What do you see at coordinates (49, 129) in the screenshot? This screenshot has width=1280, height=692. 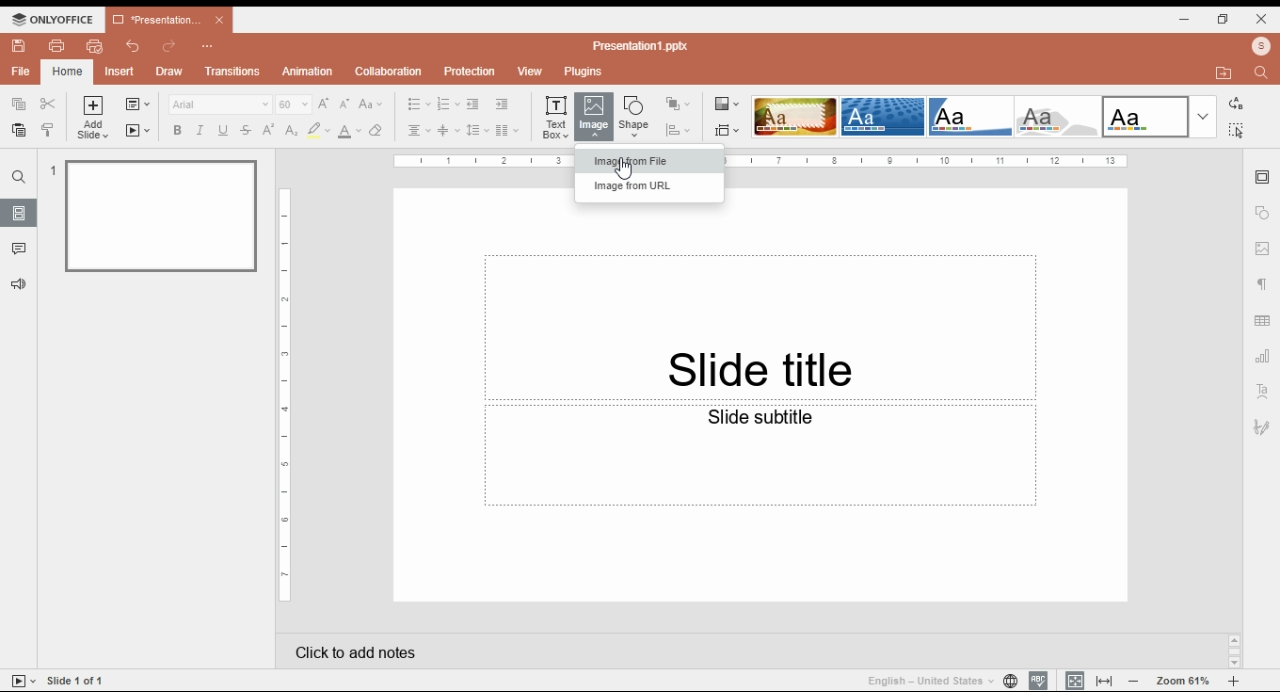 I see `copy style` at bounding box center [49, 129].